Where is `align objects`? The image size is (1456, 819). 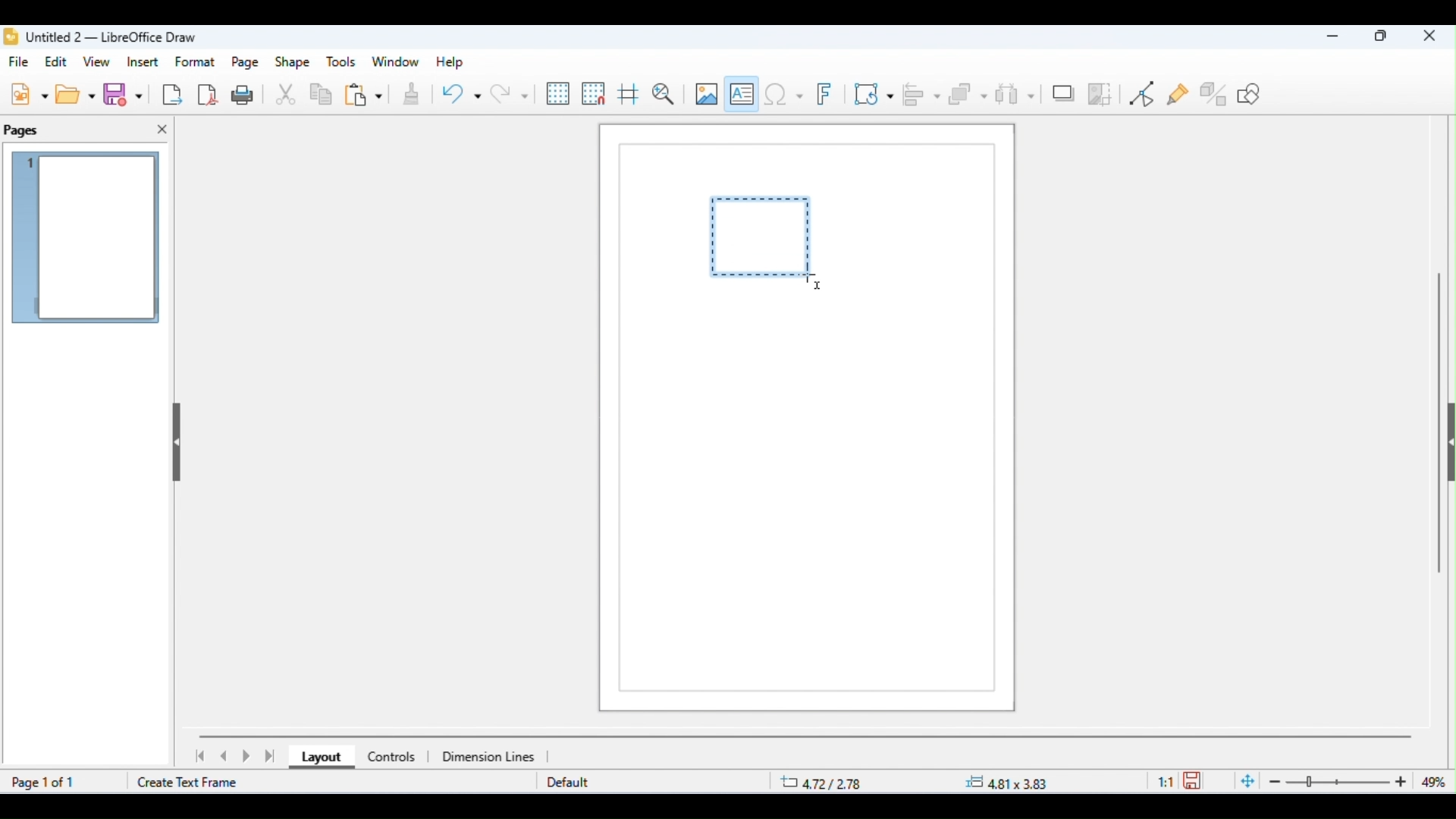
align objects is located at coordinates (923, 94).